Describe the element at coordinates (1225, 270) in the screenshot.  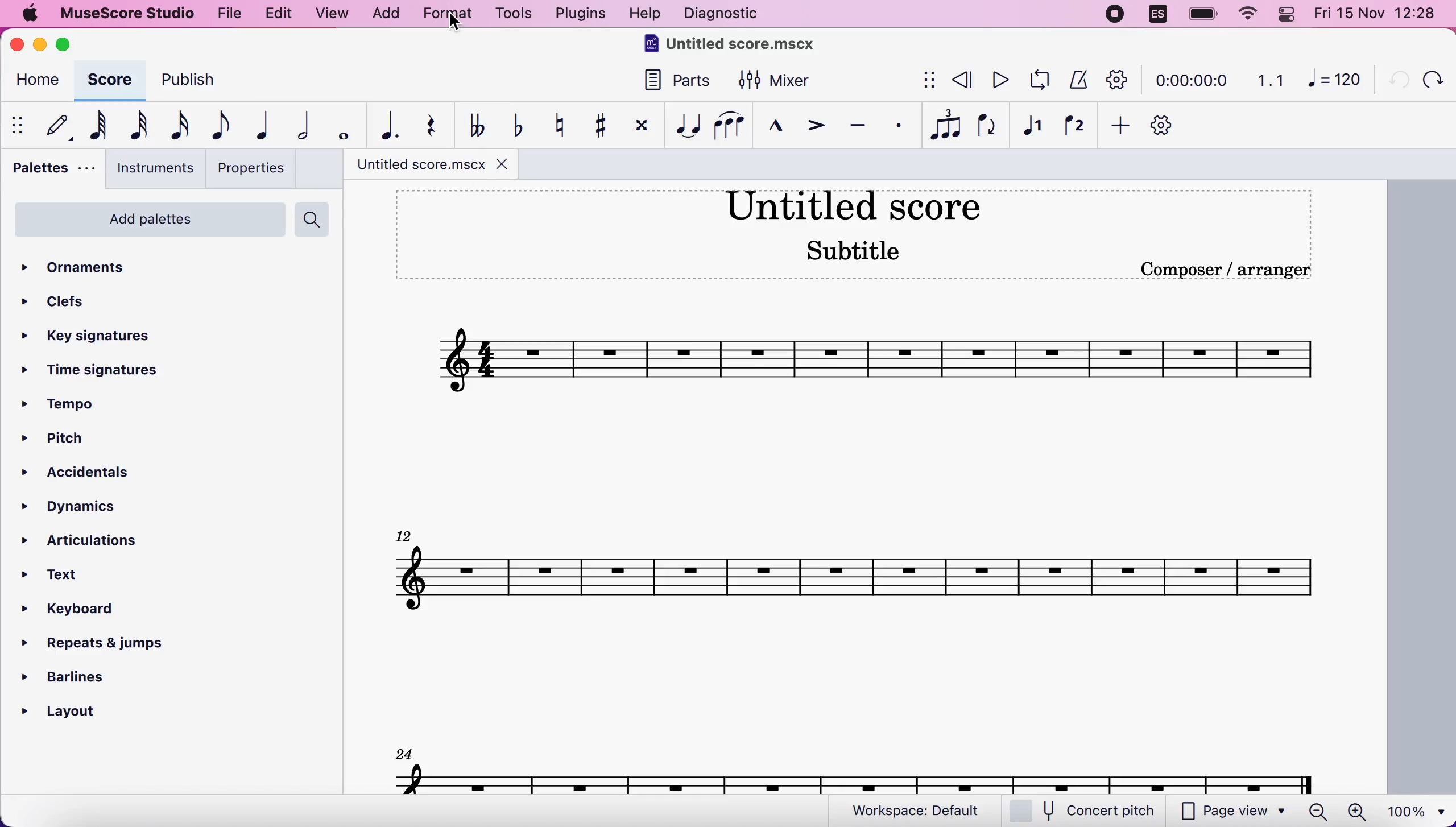
I see `details` at that location.